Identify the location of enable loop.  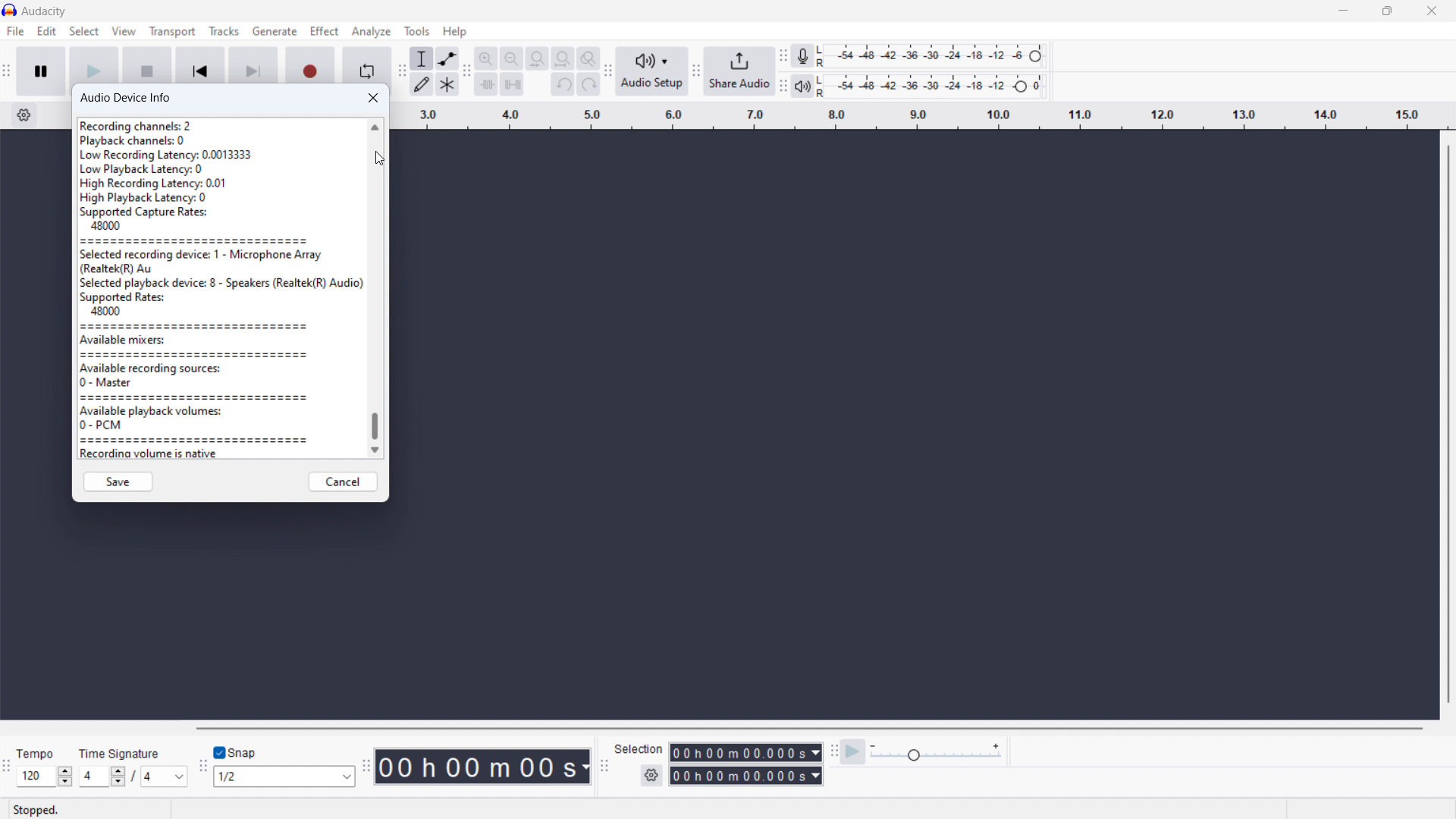
(366, 67).